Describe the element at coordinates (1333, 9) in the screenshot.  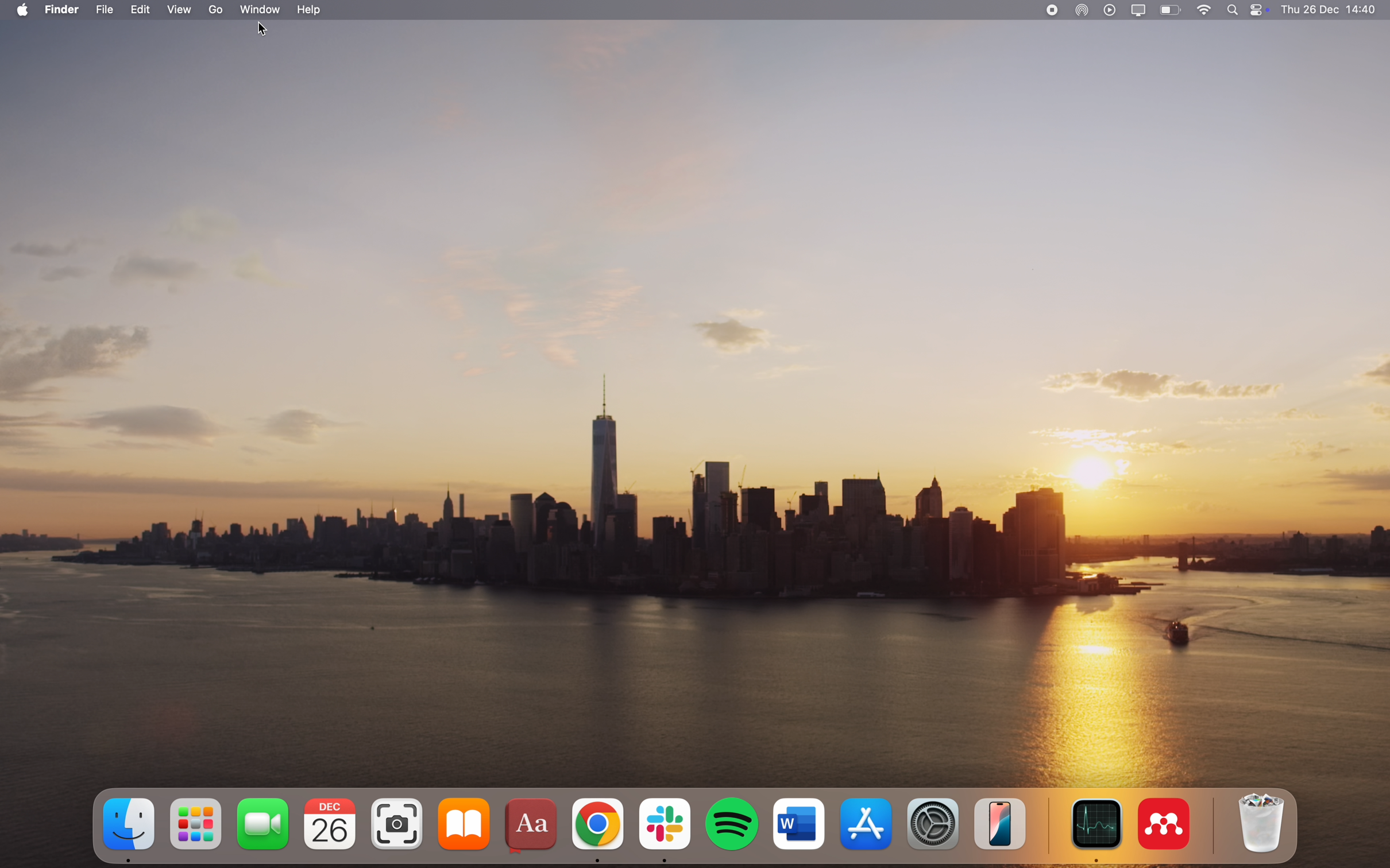
I see `date and hour` at that location.